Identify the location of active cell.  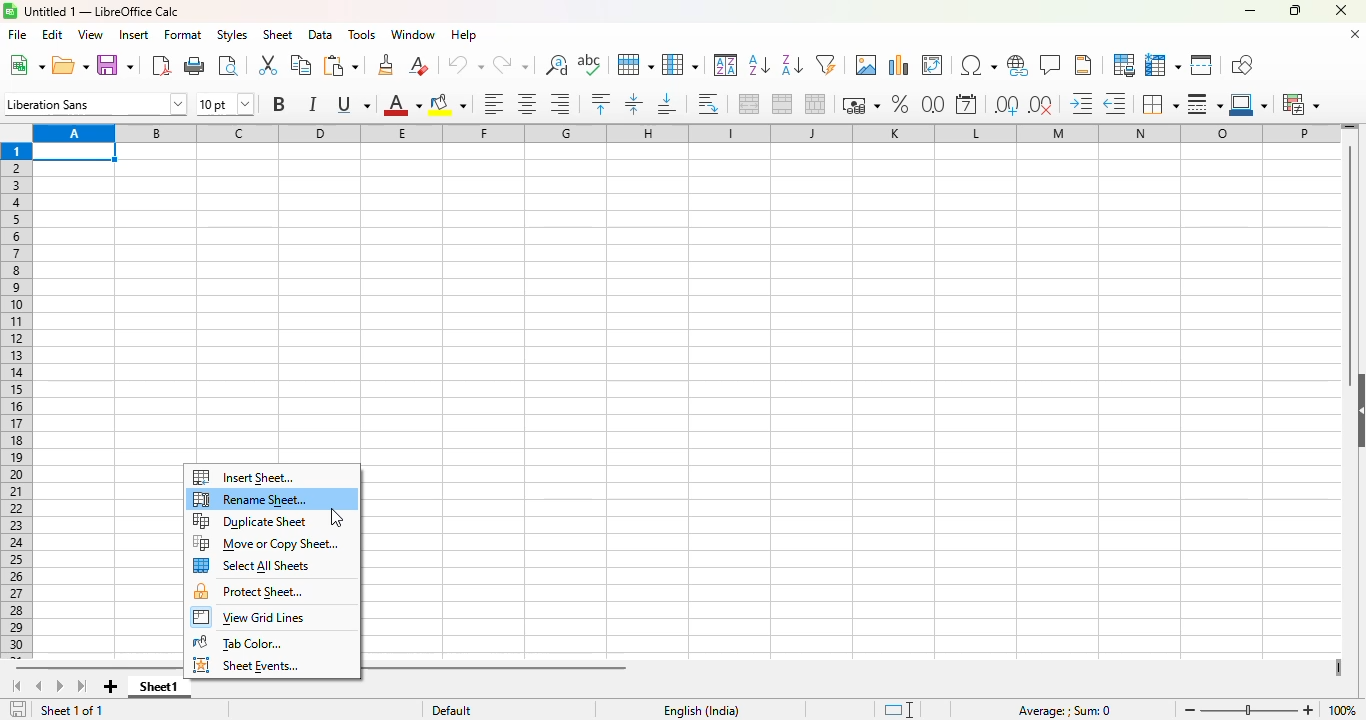
(75, 152).